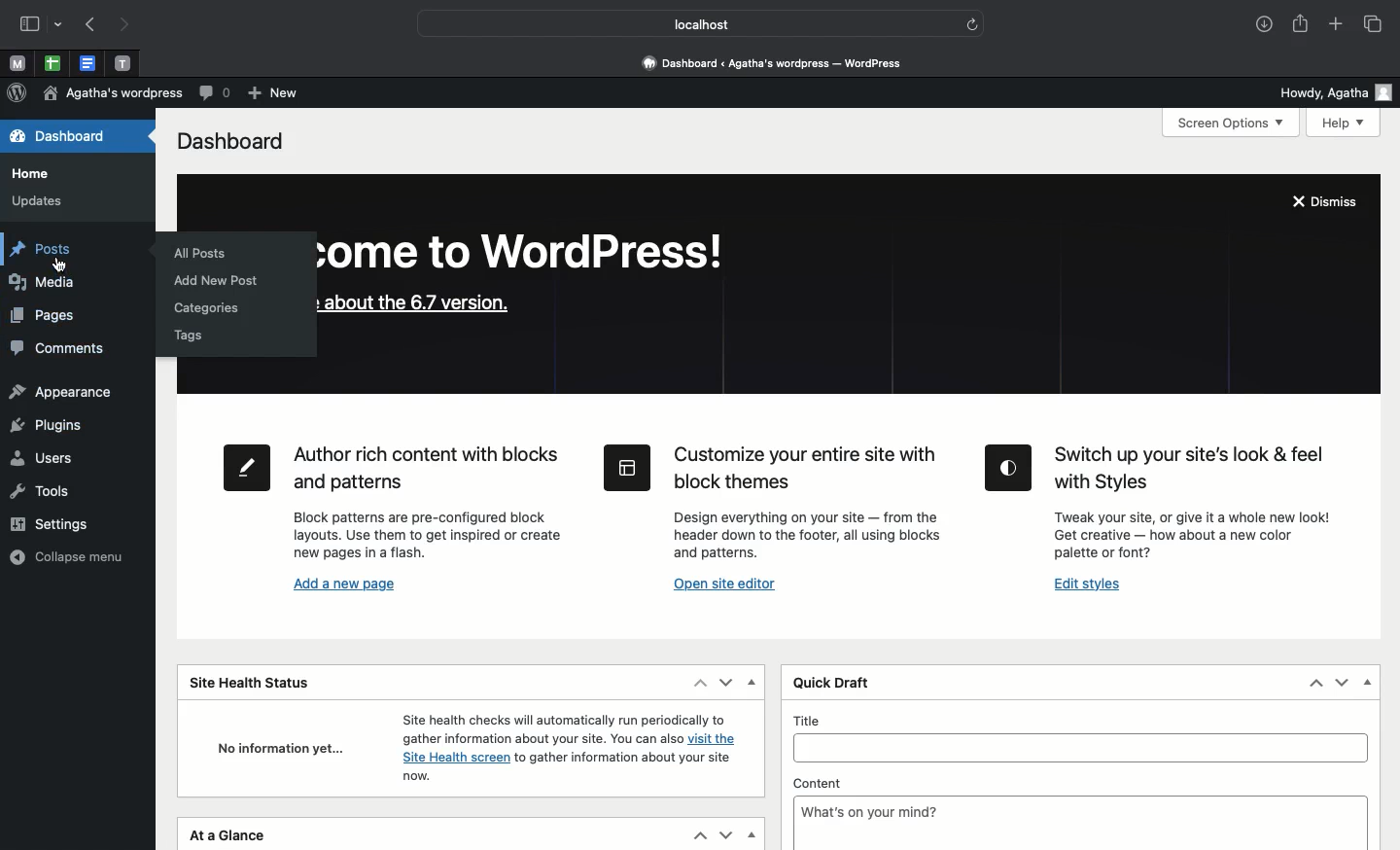  Describe the element at coordinates (540, 739) in the screenshot. I see `gather information about your site. You can also` at that location.